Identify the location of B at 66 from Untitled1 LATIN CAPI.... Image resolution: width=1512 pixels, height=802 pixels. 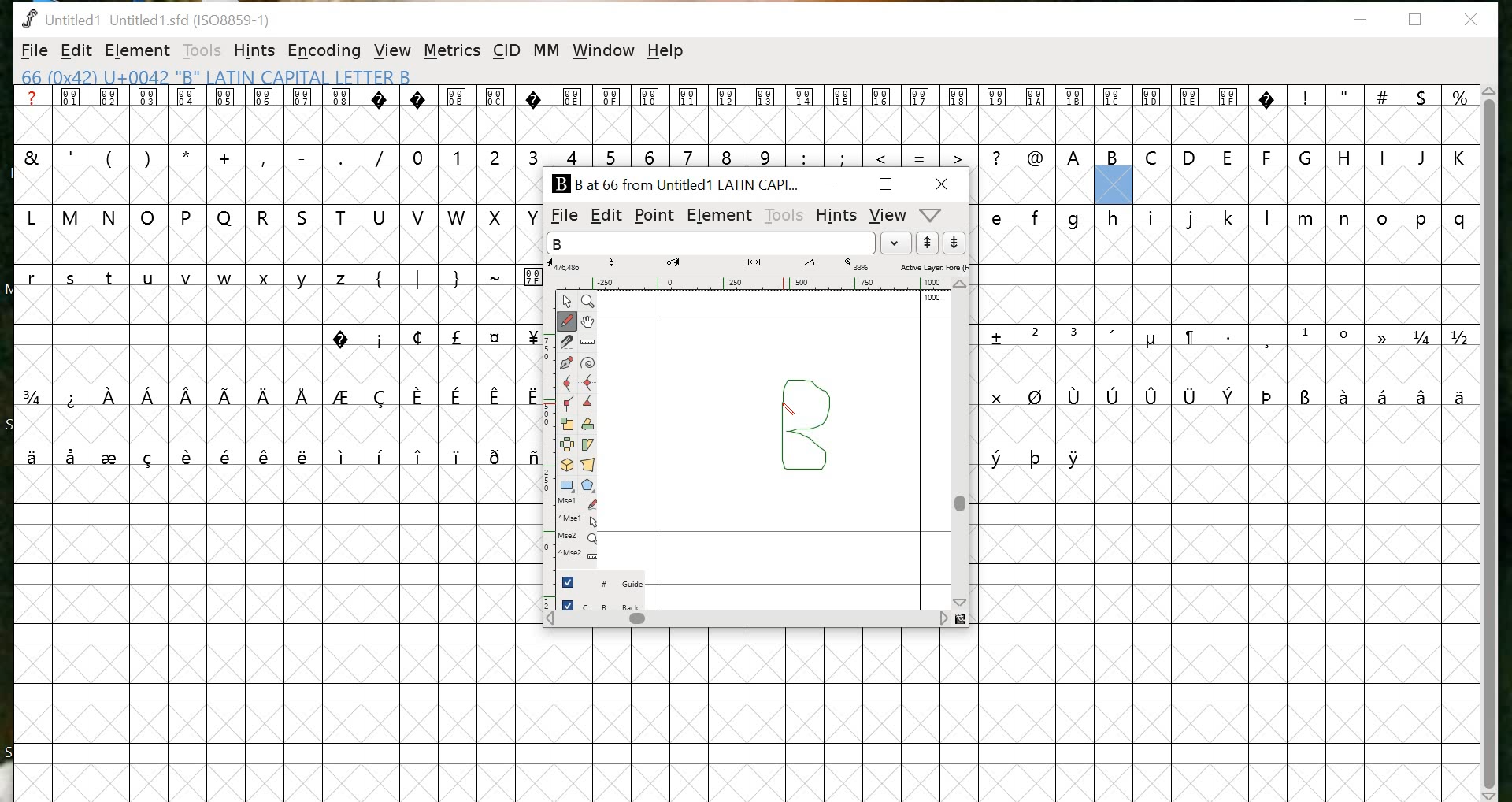
(675, 182).